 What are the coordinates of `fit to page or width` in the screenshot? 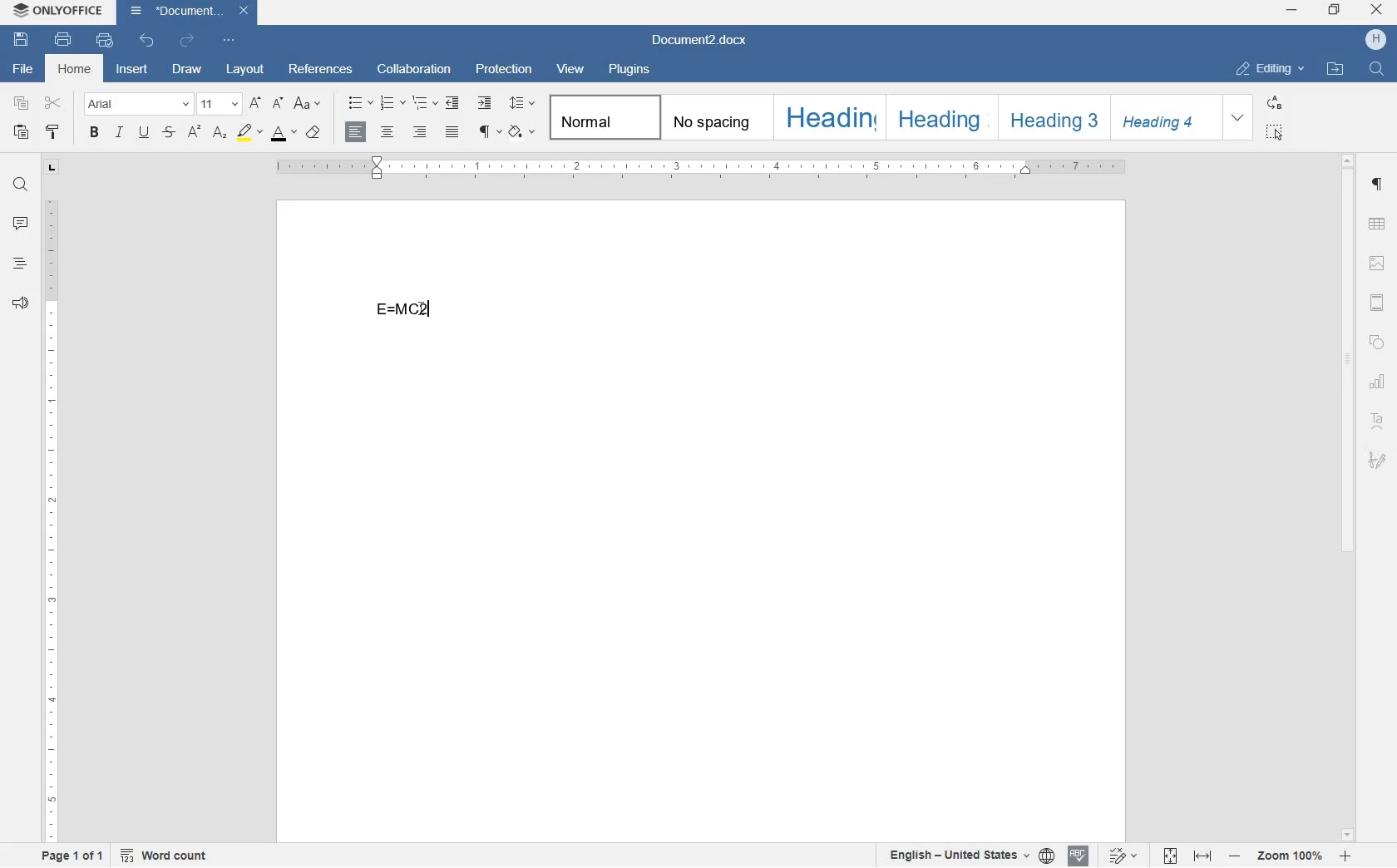 It's located at (1186, 856).